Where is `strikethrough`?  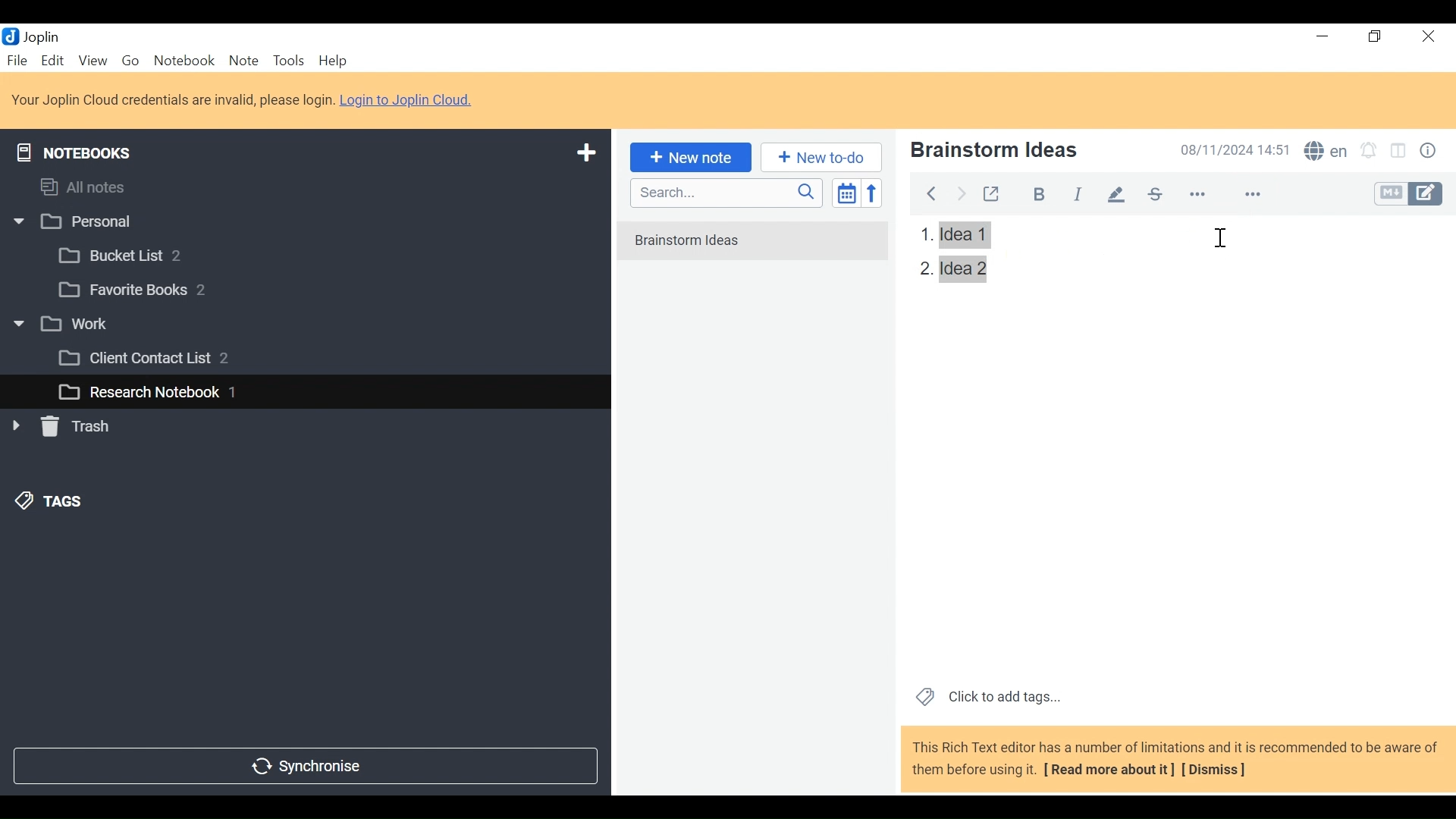
strikethrough is located at coordinates (1158, 193).